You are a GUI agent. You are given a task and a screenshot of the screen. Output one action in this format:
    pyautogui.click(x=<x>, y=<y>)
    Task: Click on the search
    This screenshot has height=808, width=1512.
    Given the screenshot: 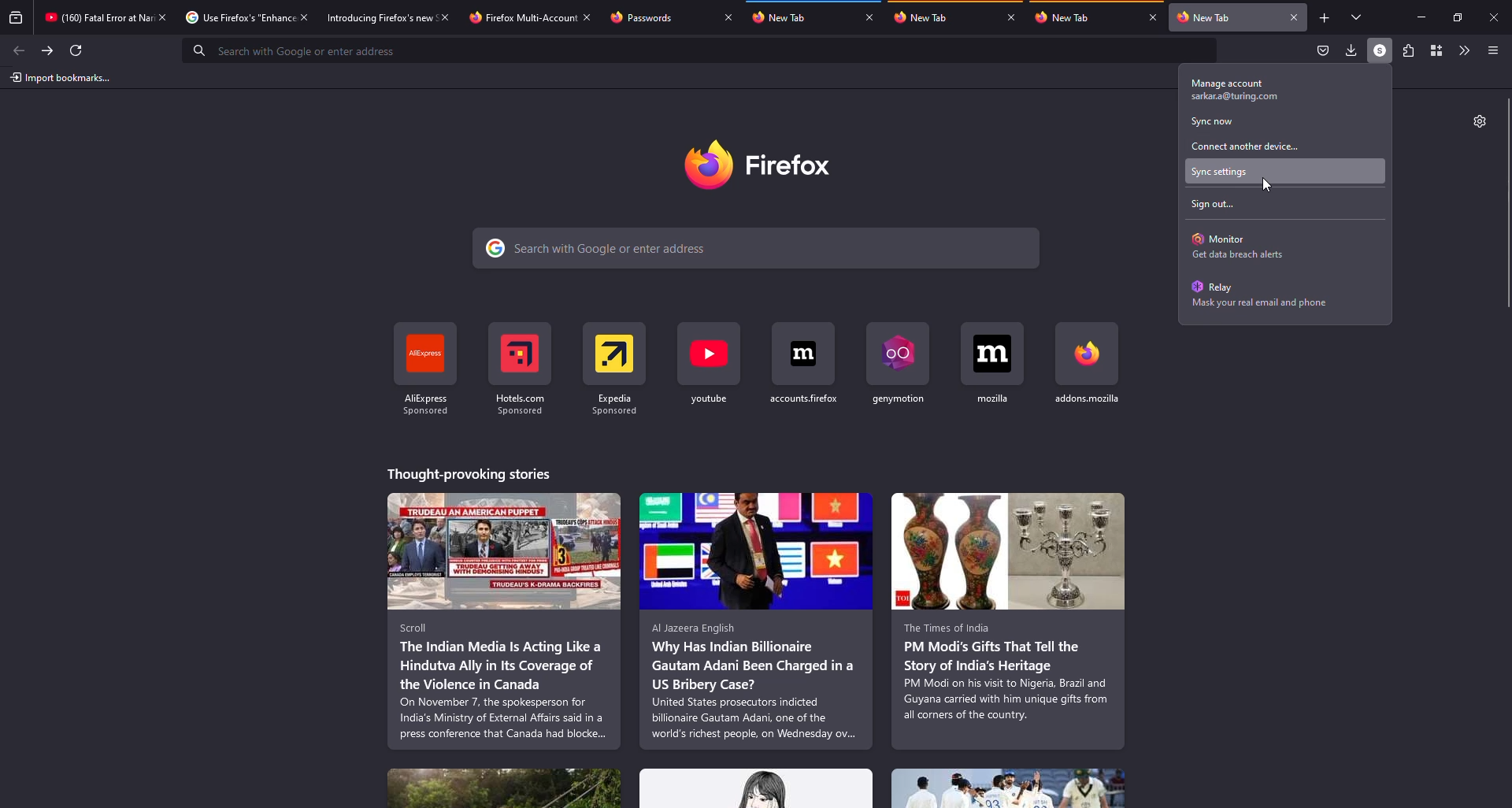 What is the action you would take?
    pyautogui.click(x=701, y=50)
    